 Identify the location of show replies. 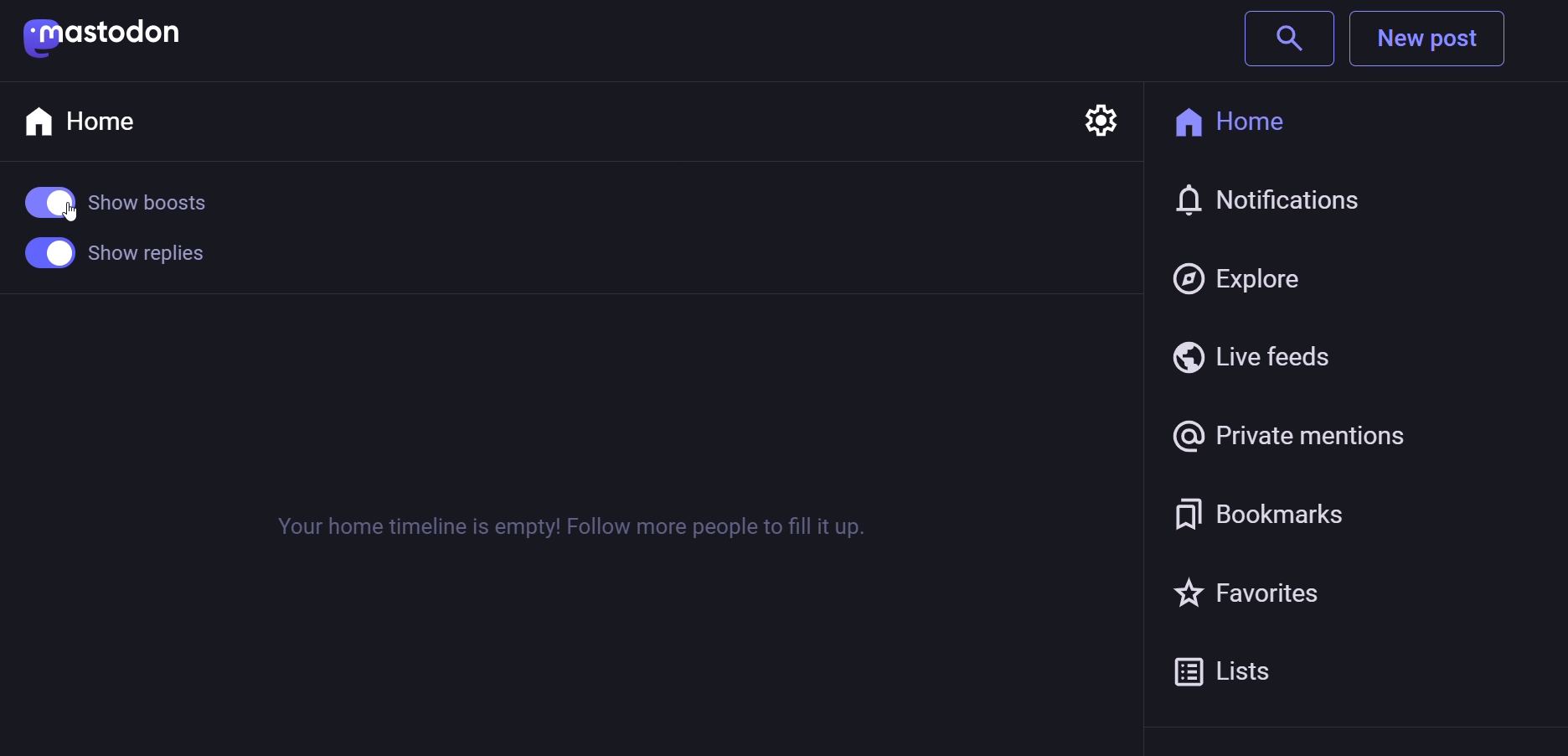
(125, 256).